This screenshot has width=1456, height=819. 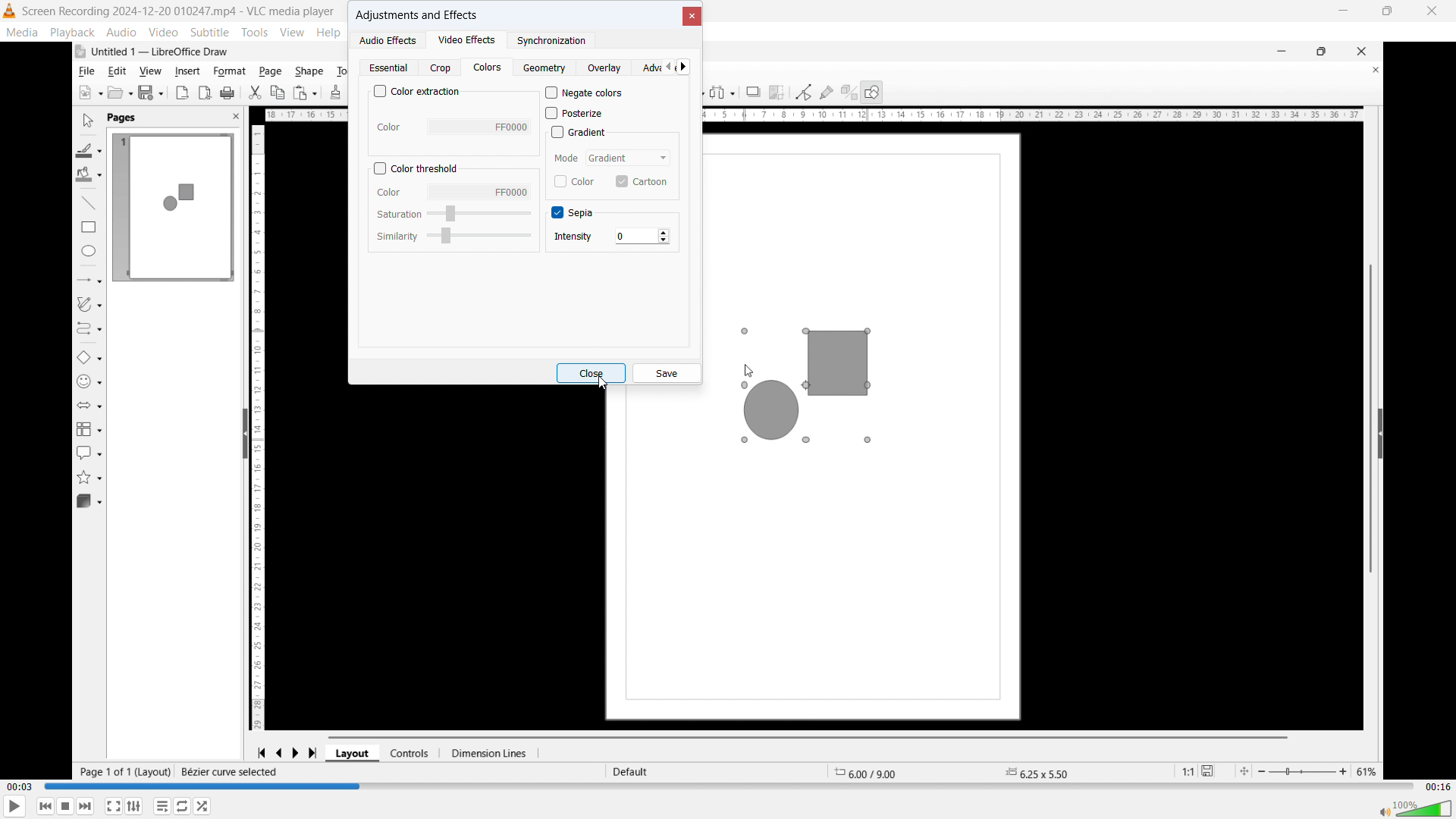 What do you see at coordinates (328, 33) in the screenshot?
I see `help` at bounding box center [328, 33].